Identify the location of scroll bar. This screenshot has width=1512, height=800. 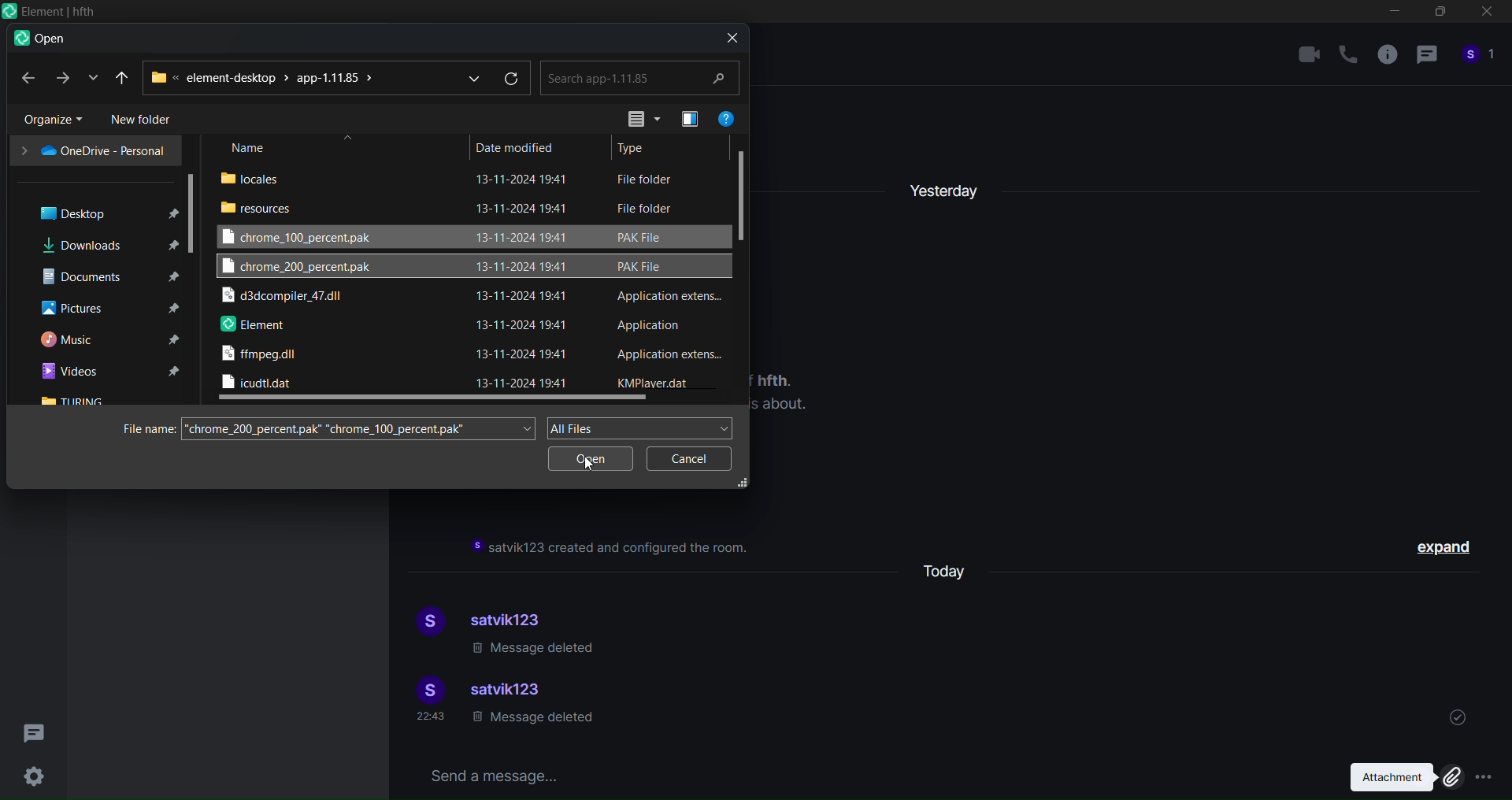
(194, 212).